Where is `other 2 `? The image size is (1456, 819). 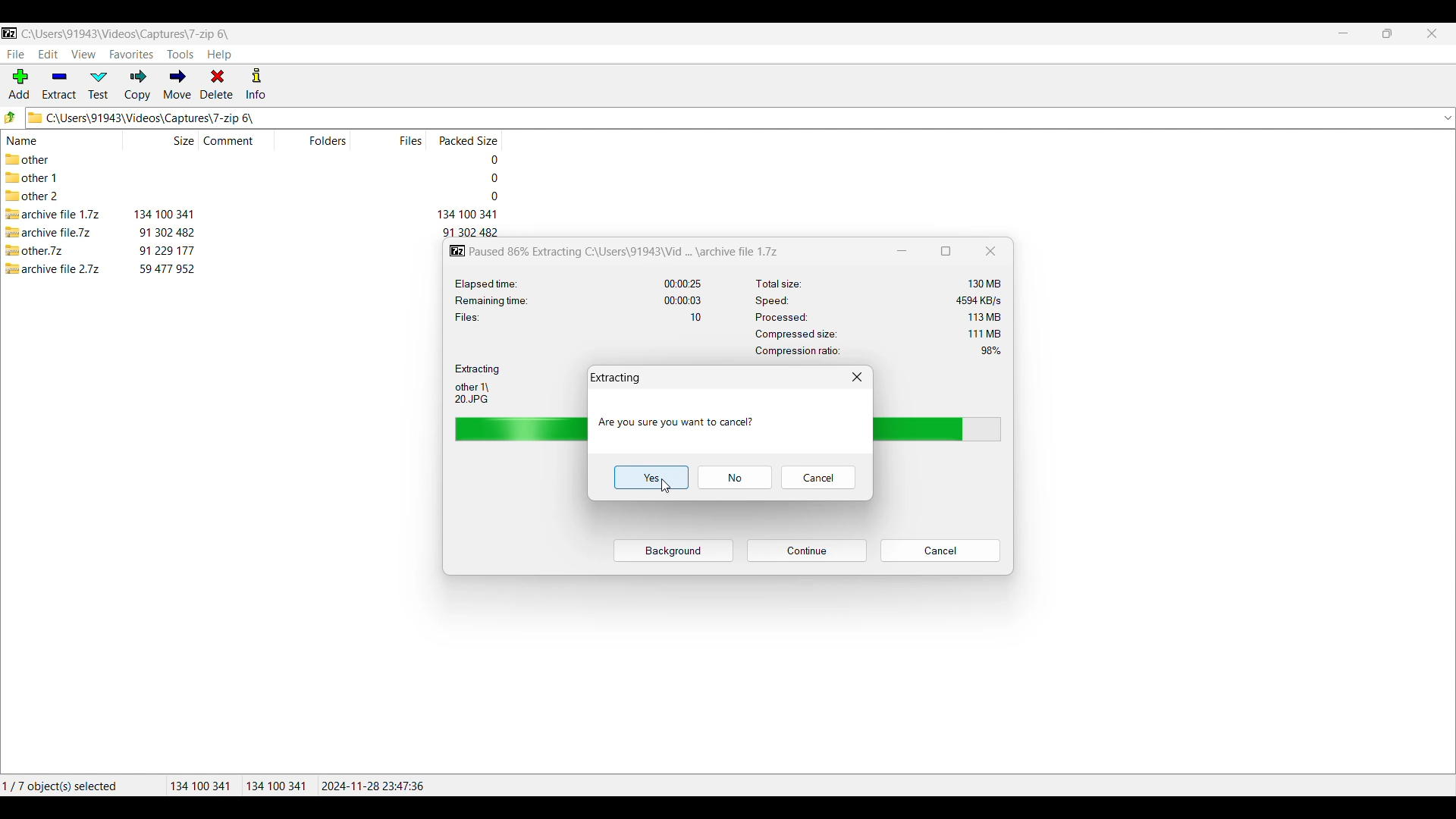 other 2  is located at coordinates (33, 197).